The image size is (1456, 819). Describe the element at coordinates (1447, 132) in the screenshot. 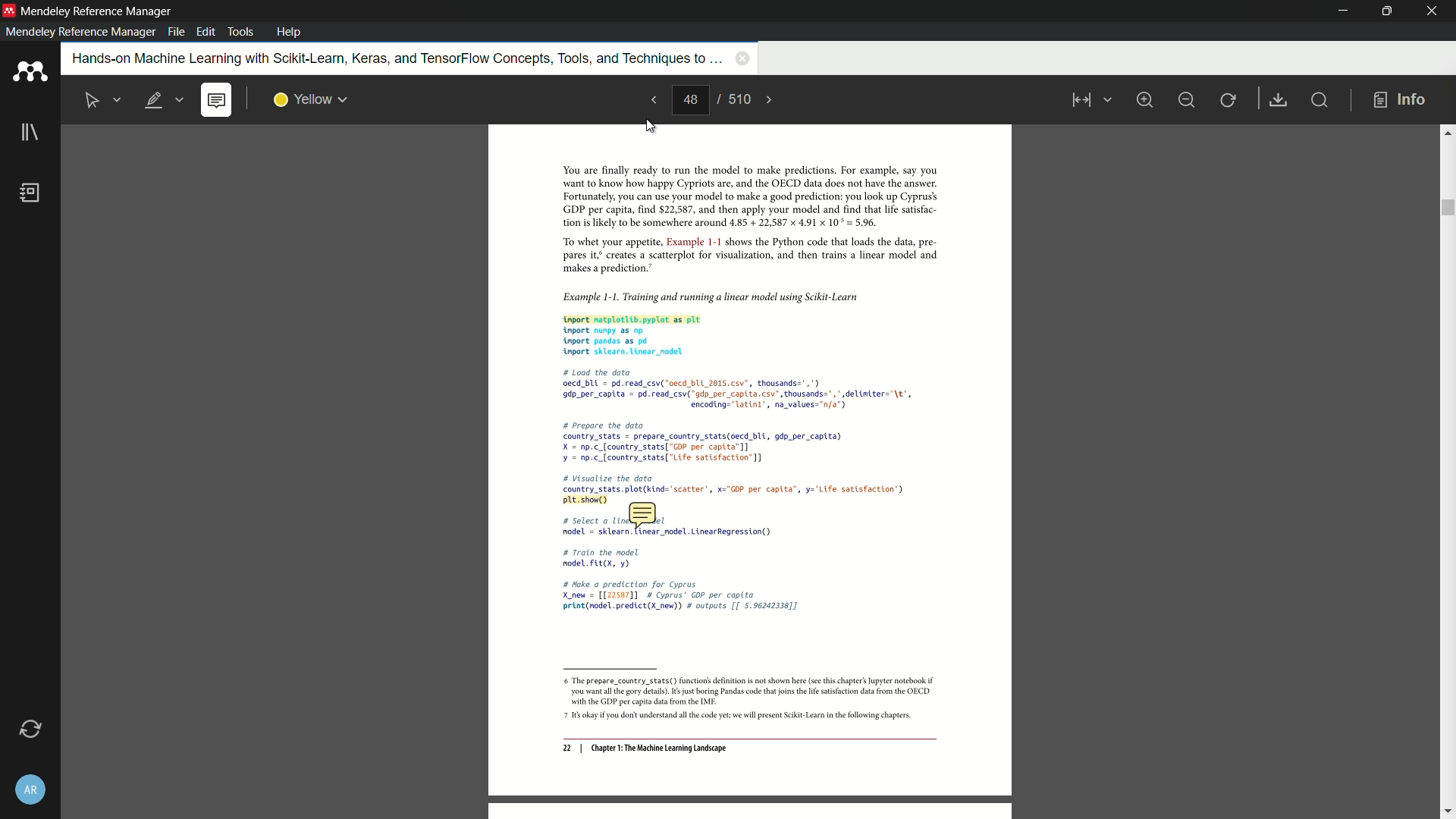

I see `scroll up` at that location.